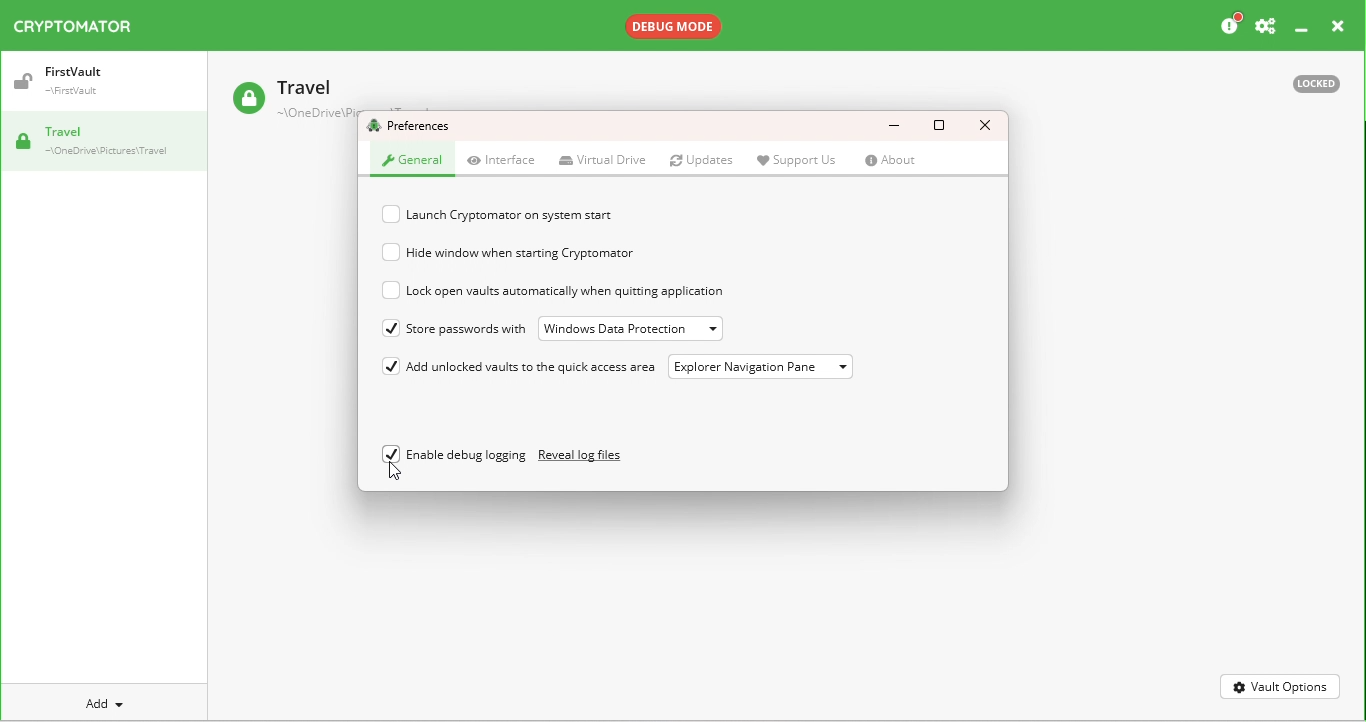  Describe the element at coordinates (392, 368) in the screenshot. I see `checkbox` at that location.